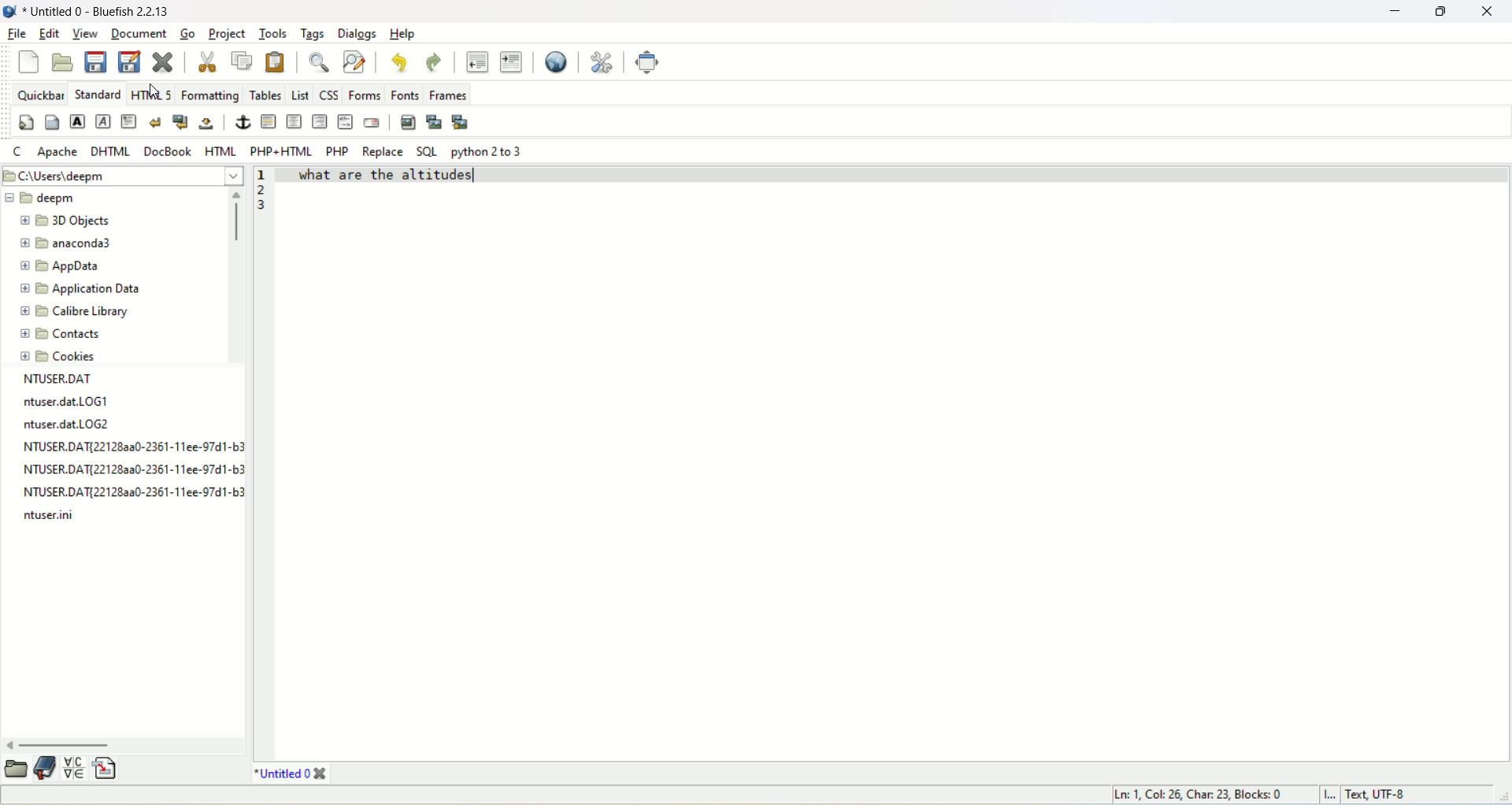  Describe the element at coordinates (124, 742) in the screenshot. I see `horizontal scroll bar` at that location.